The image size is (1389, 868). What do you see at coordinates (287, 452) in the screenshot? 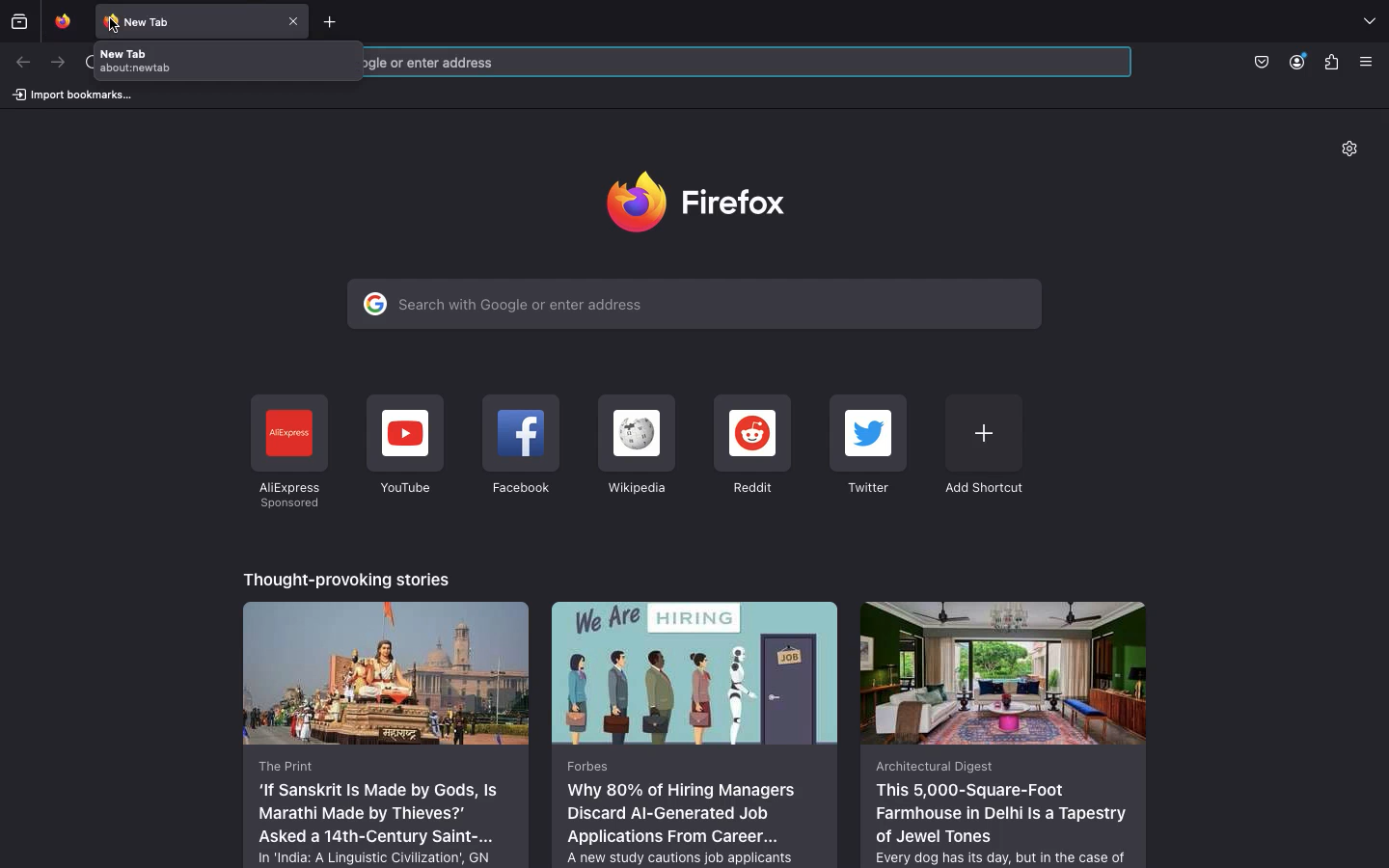
I see `AliExpress` at bounding box center [287, 452].